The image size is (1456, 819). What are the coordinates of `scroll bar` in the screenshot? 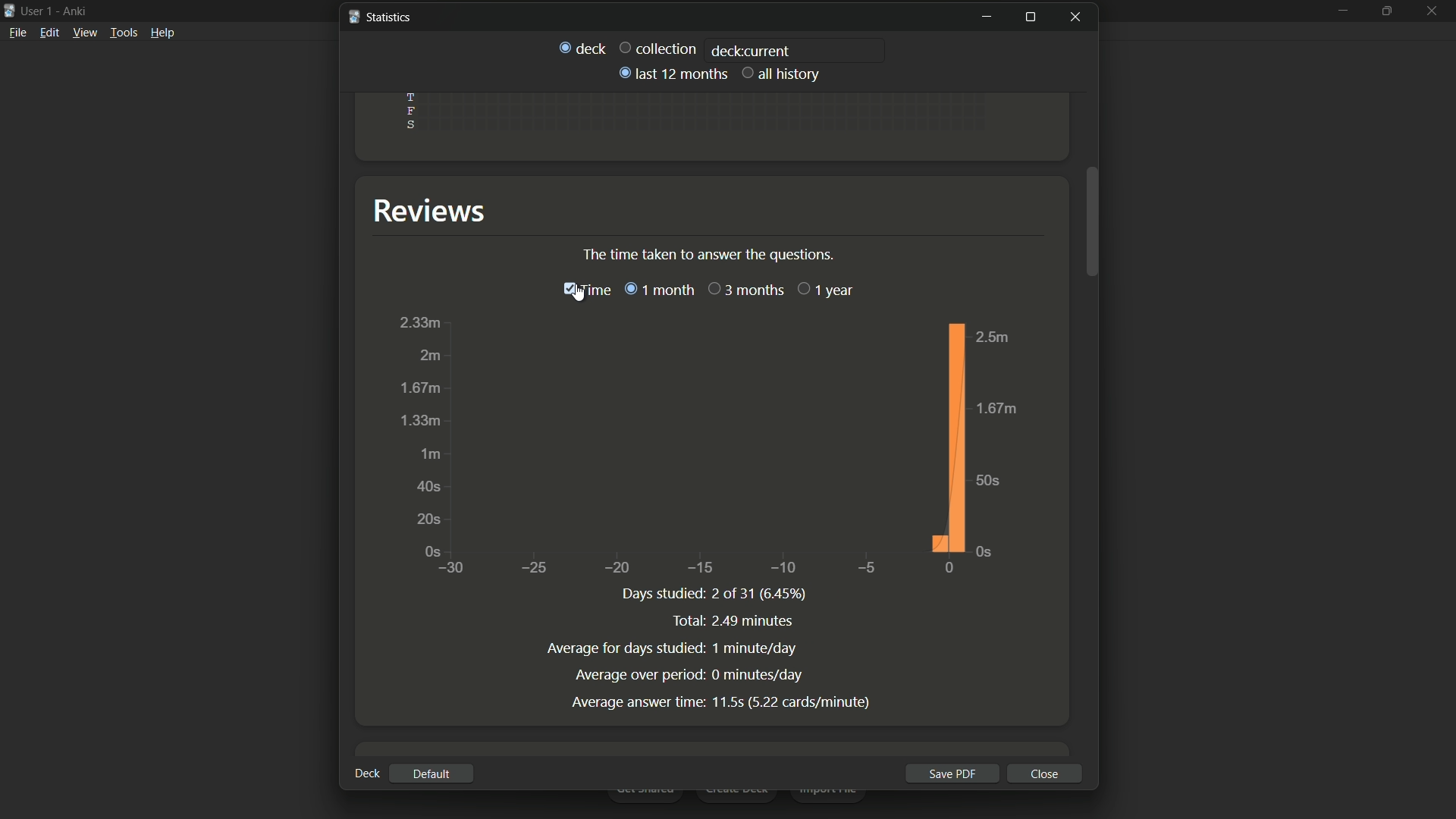 It's located at (1093, 221).